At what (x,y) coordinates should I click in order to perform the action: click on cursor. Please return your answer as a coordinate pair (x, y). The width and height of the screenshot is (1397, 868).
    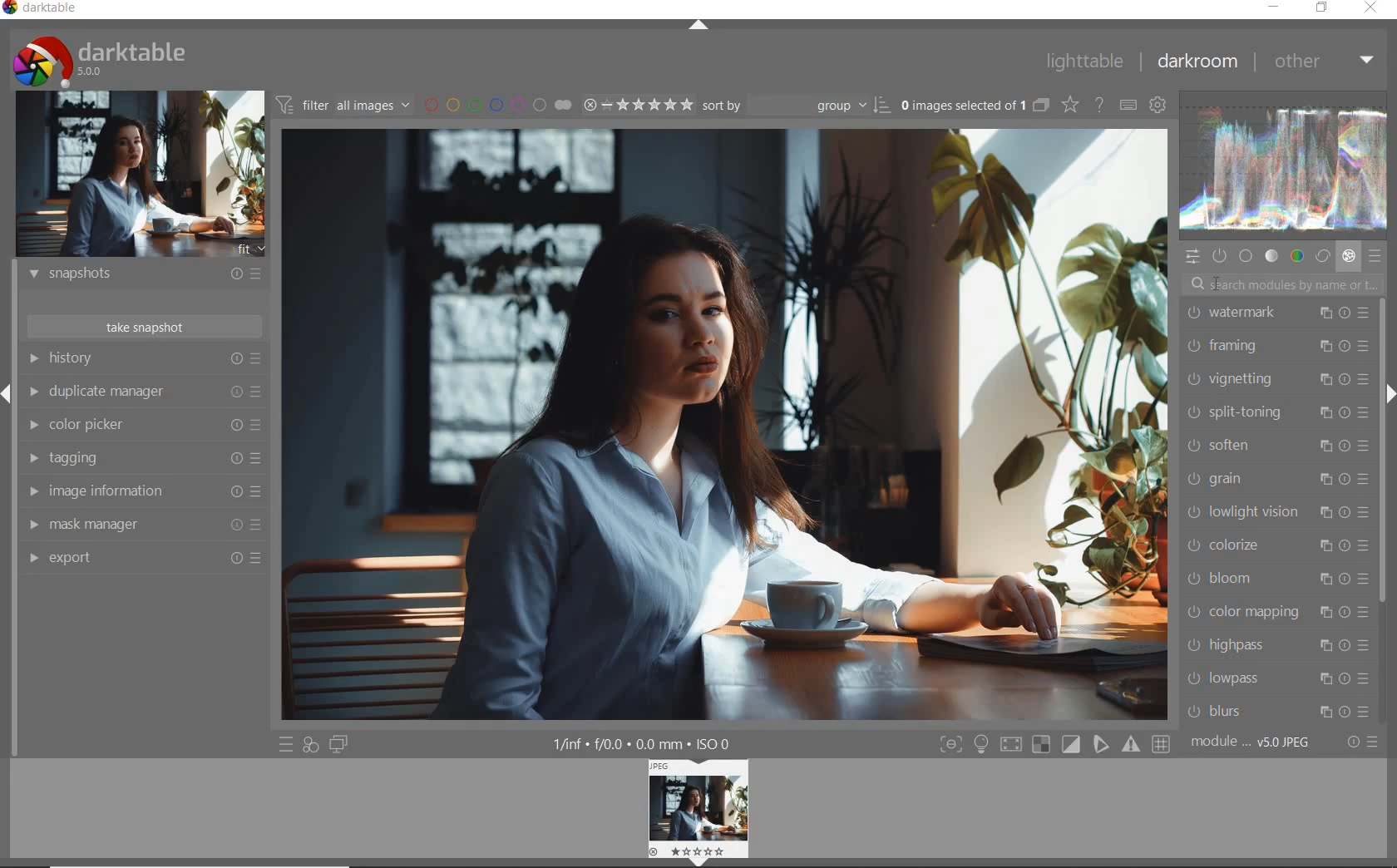
    Looking at the image, I should click on (1219, 284).